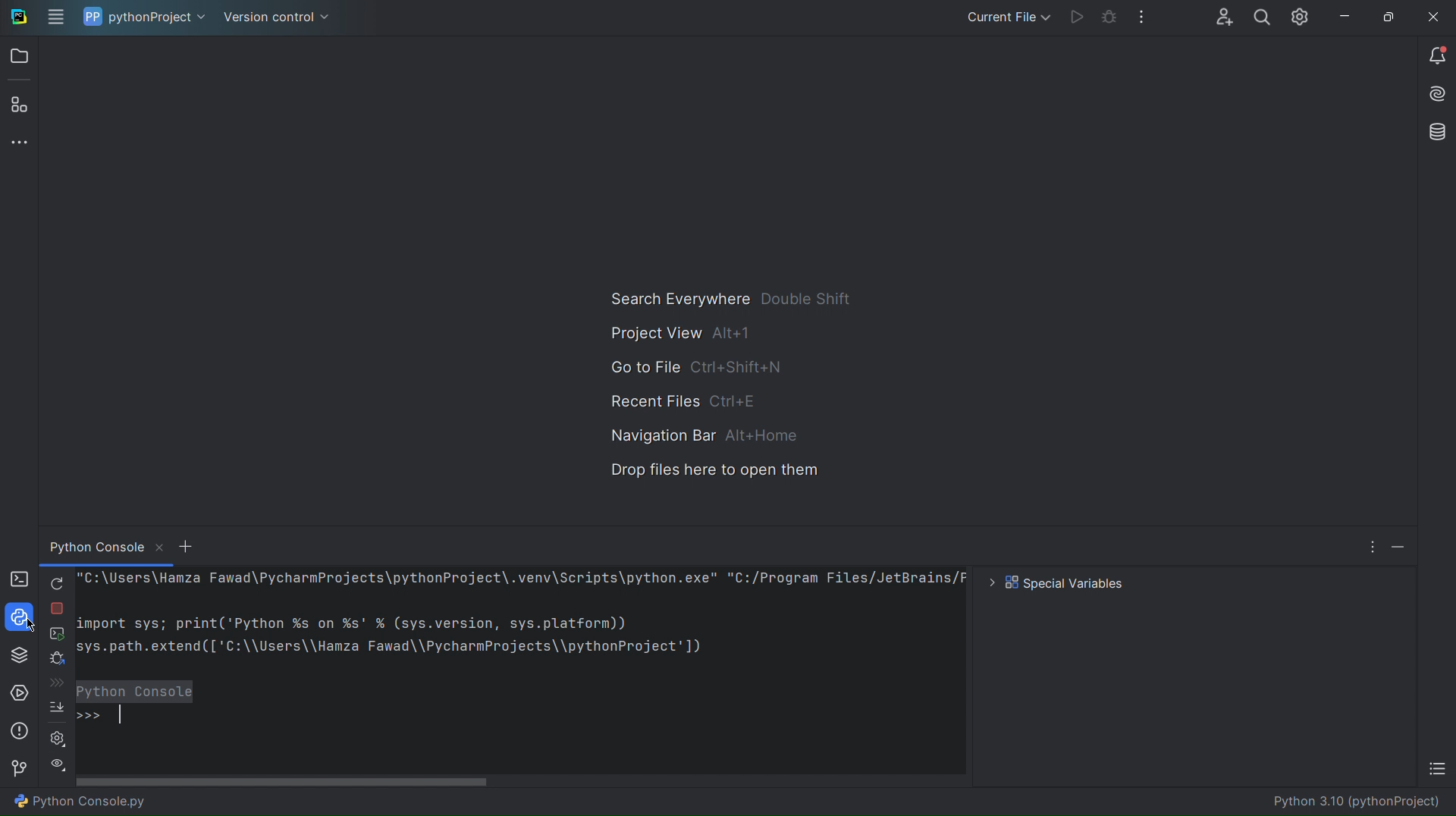  Describe the element at coordinates (21, 770) in the screenshot. I see `Version Control` at that location.